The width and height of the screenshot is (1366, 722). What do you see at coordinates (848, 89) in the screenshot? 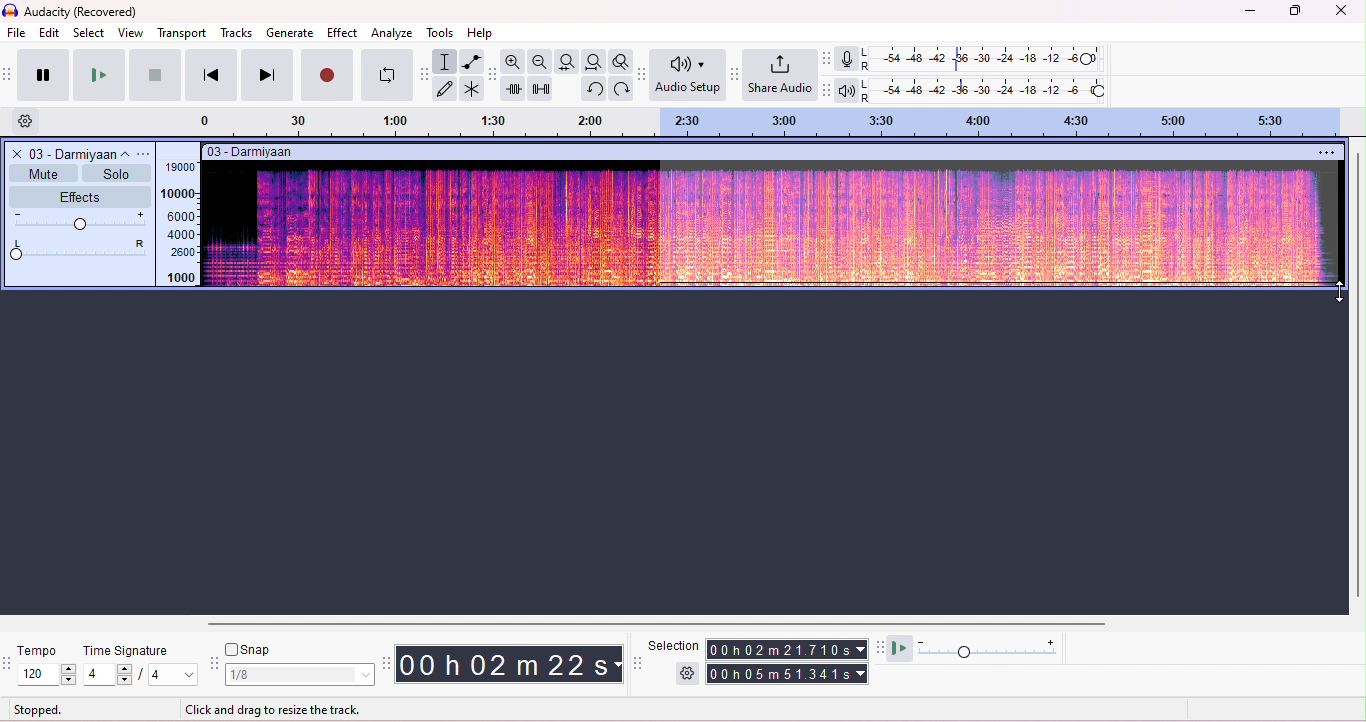
I see `playback meter` at bounding box center [848, 89].